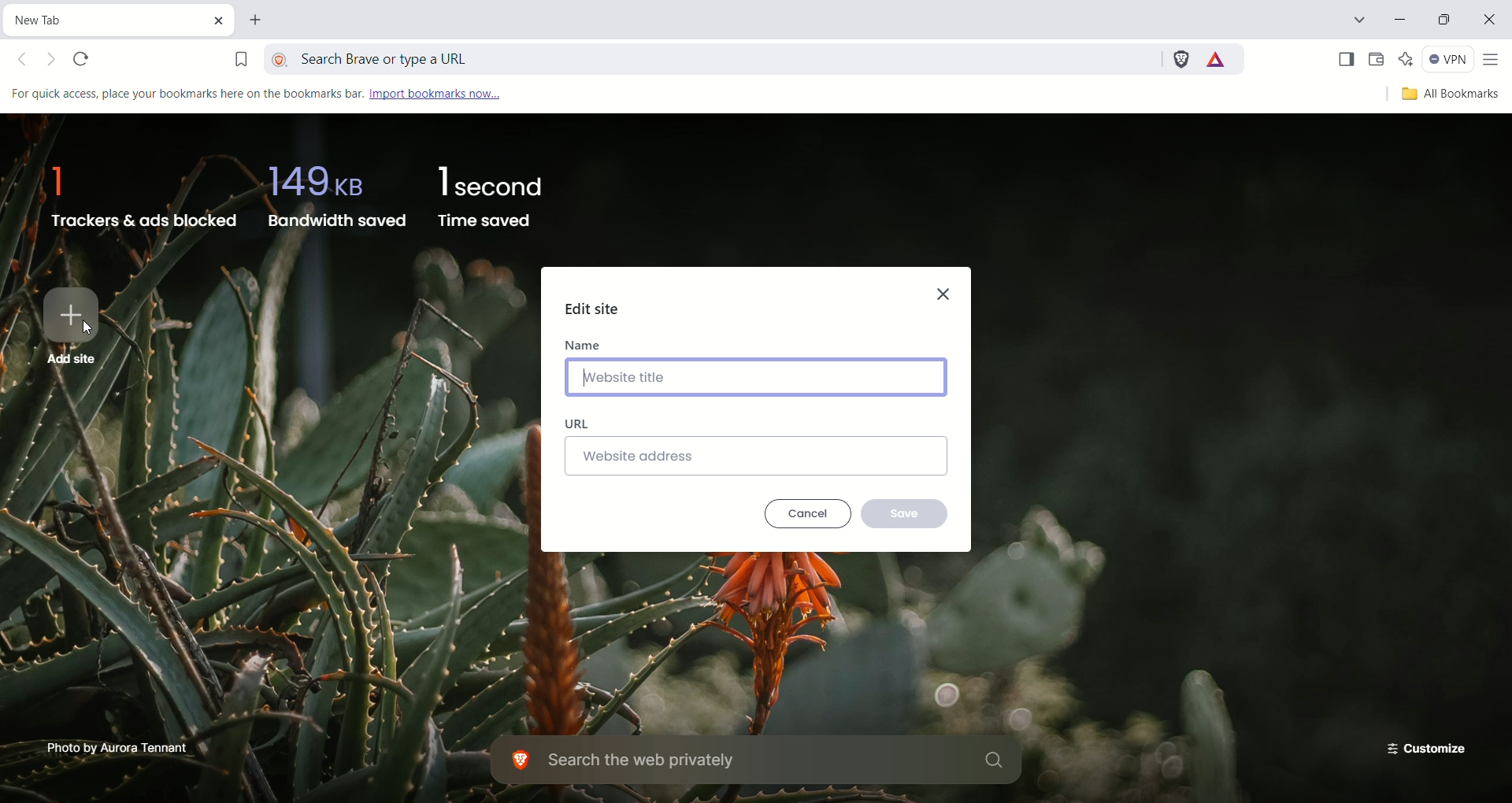  Describe the element at coordinates (334, 193) in the screenshot. I see `bandwidth saved` at that location.